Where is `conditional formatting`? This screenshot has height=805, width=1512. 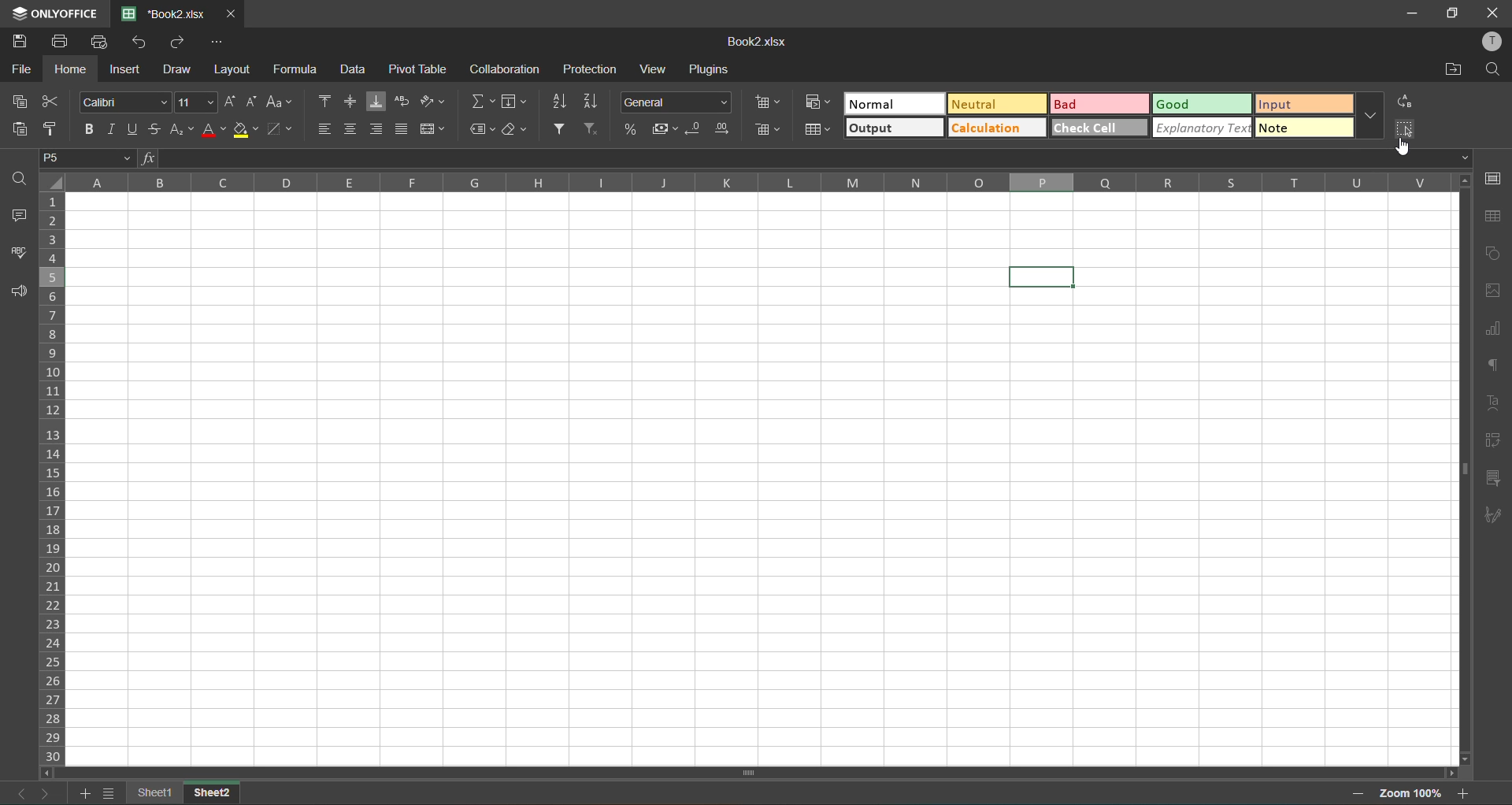 conditional formatting is located at coordinates (814, 102).